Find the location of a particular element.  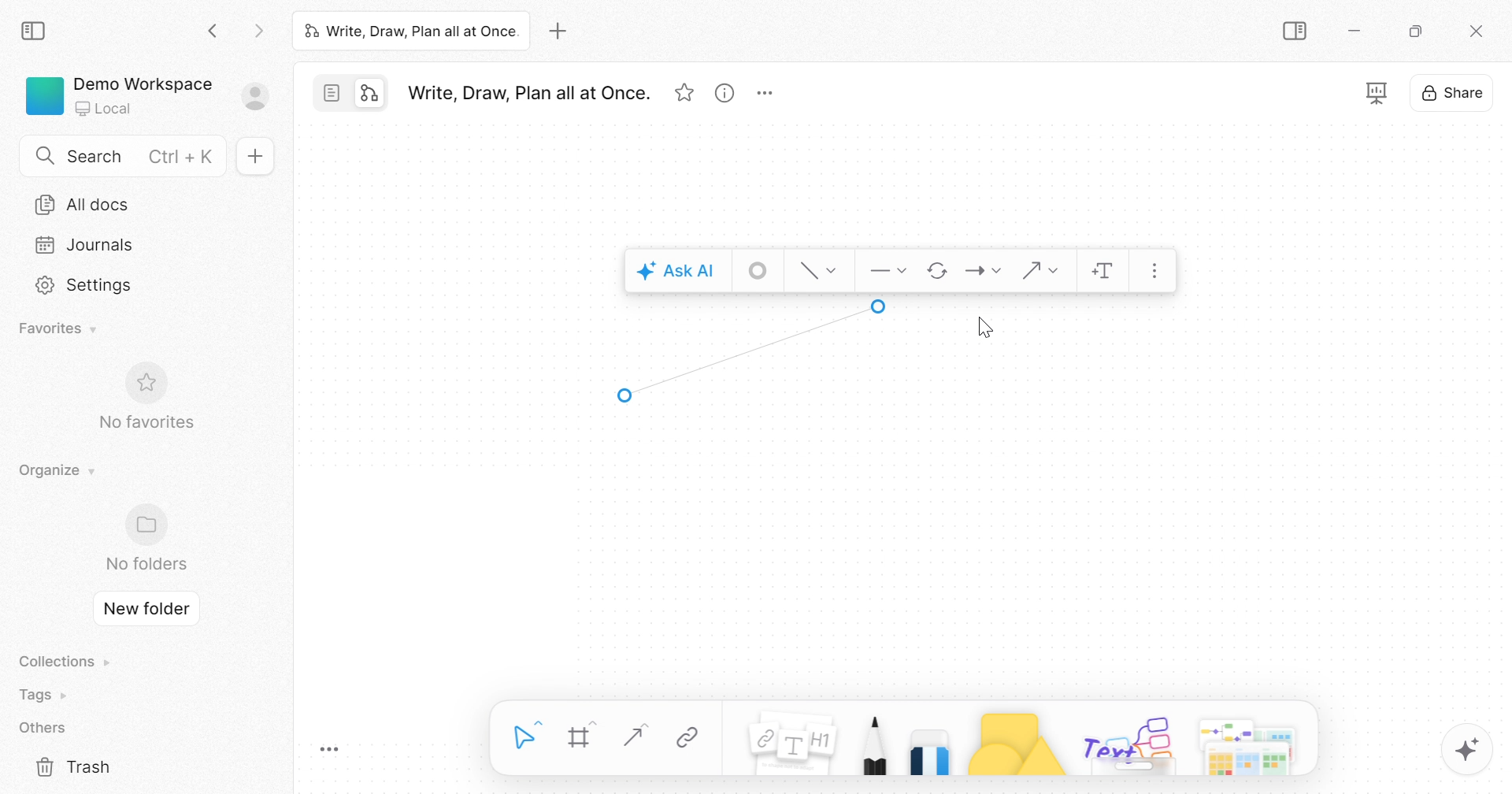

Collections is located at coordinates (61, 662).